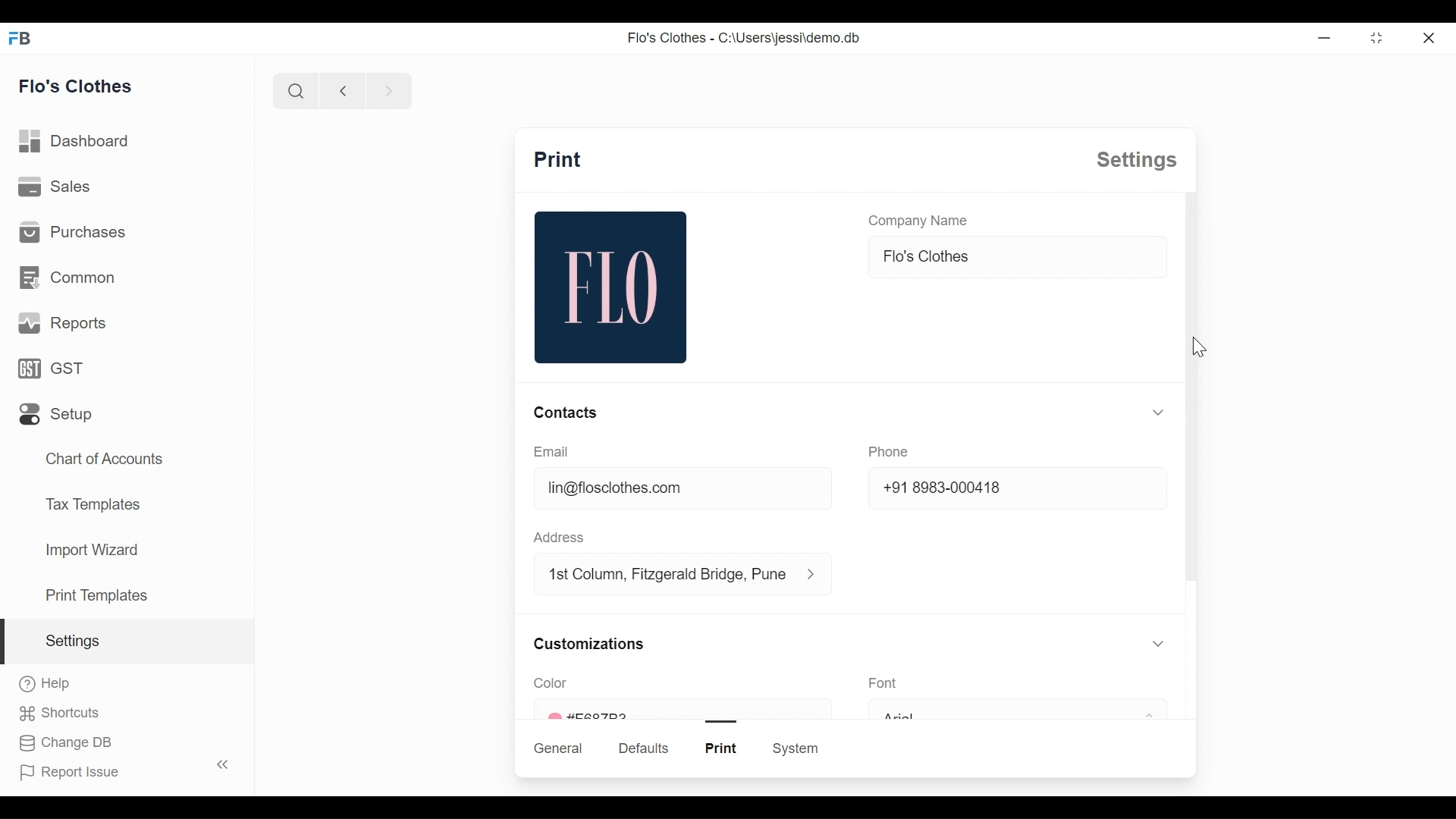 Image resolution: width=1456 pixels, height=819 pixels. What do you see at coordinates (884, 682) in the screenshot?
I see `font` at bounding box center [884, 682].